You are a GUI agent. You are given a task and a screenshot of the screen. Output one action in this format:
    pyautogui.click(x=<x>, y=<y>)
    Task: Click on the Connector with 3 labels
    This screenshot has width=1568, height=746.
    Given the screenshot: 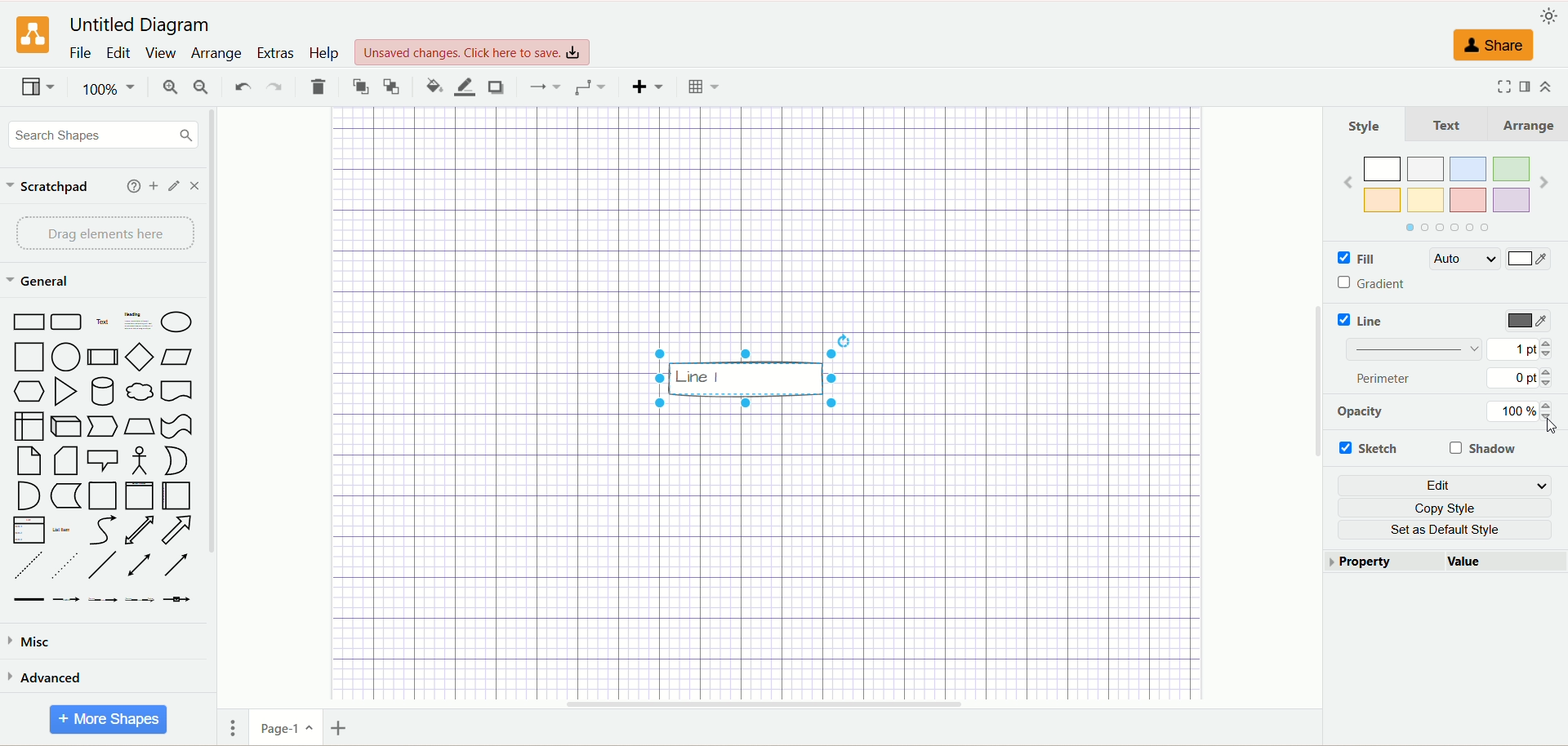 What is the action you would take?
    pyautogui.click(x=140, y=599)
    